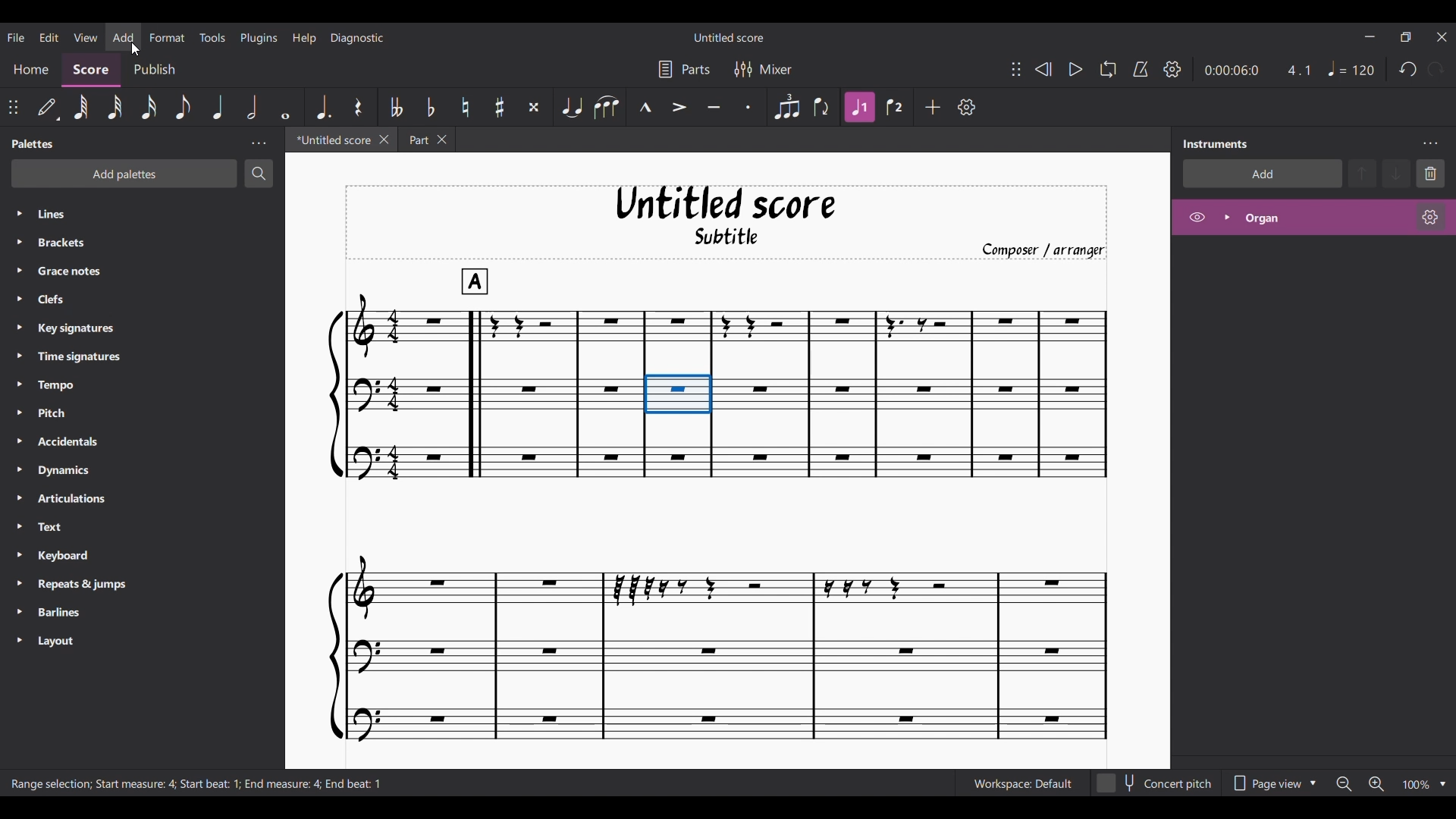 Image resolution: width=1456 pixels, height=819 pixels. I want to click on Undo, so click(1407, 70).